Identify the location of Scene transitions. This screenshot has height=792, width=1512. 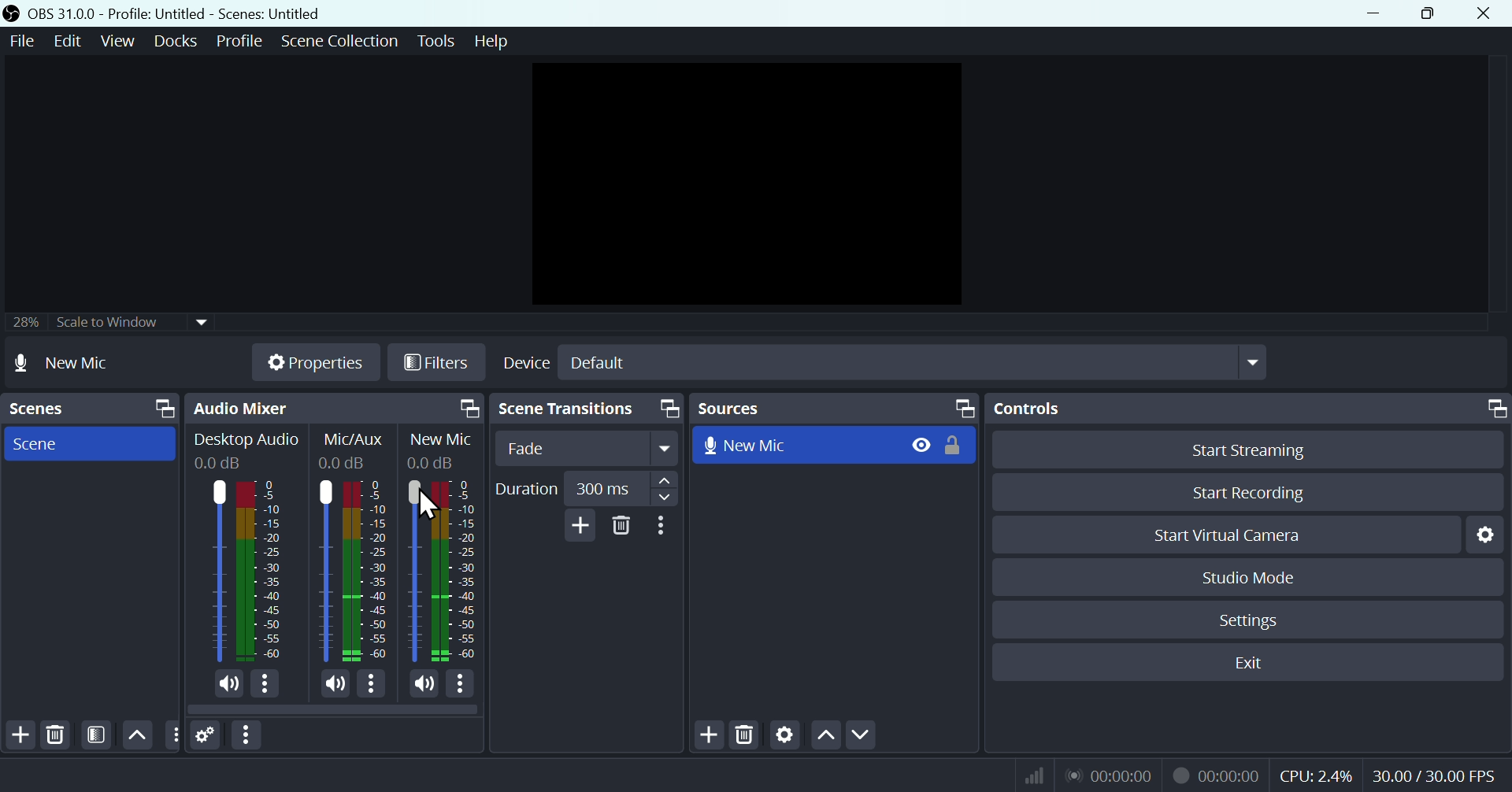
(584, 410).